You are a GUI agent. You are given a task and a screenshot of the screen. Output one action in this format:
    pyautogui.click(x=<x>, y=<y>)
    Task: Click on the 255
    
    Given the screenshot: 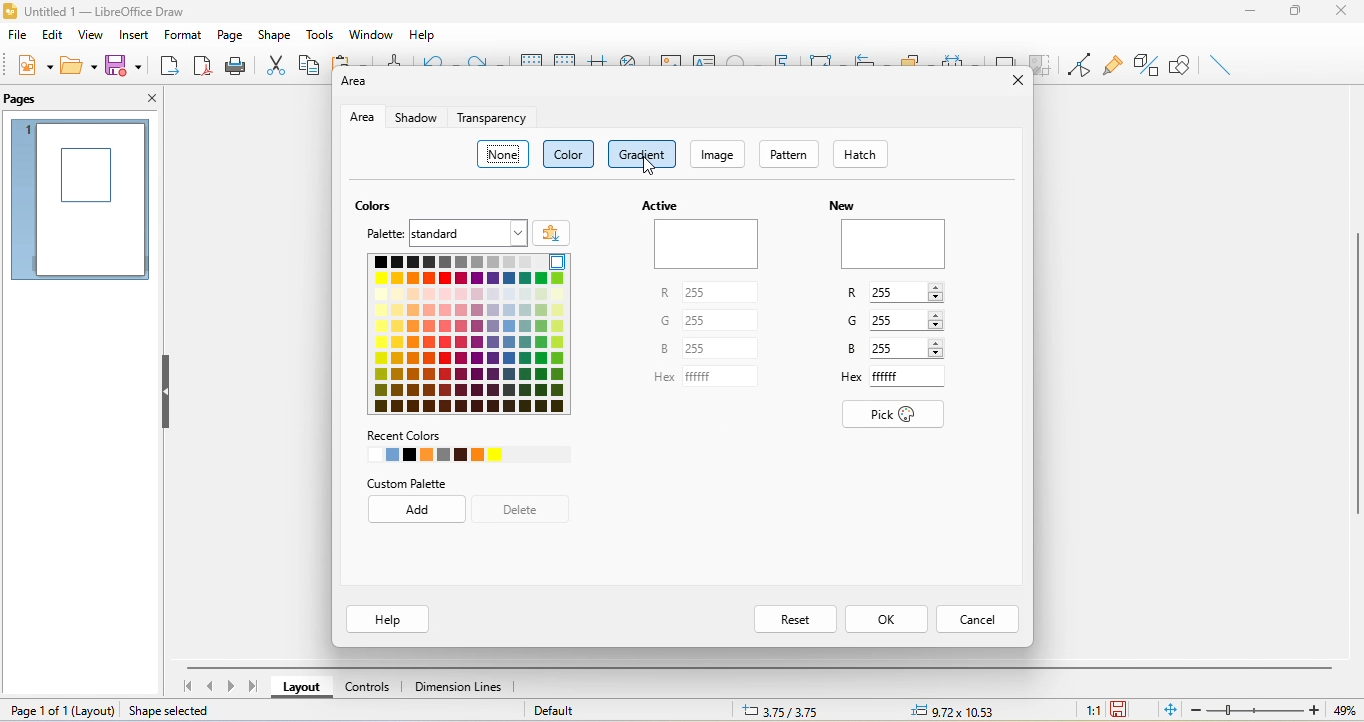 What is the action you would take?
    pyautogui.click(x=909, y=347)
    